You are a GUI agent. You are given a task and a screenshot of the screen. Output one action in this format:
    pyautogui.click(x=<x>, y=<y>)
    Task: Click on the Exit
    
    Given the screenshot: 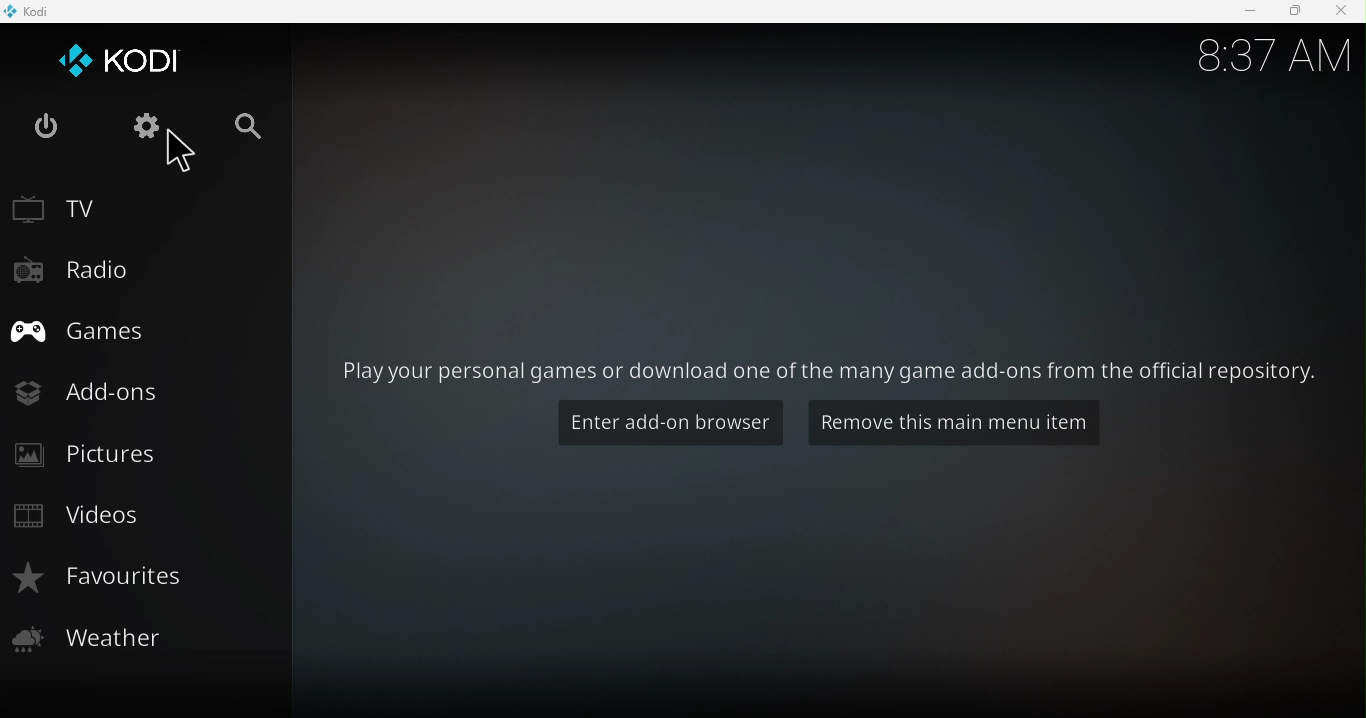 What is the action you would take?
    pyautogui.click(x=52, y=132)
    